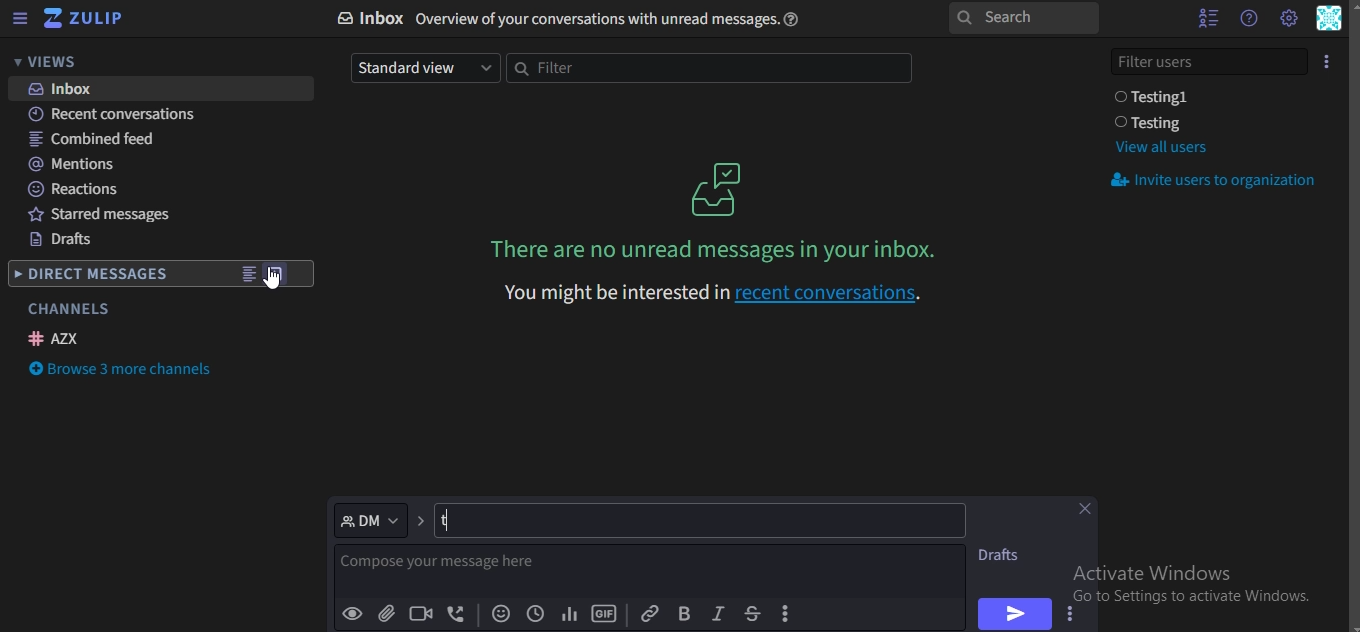 This screenshot has width=1360, height=632. I want to click on link, so click(649, 612).